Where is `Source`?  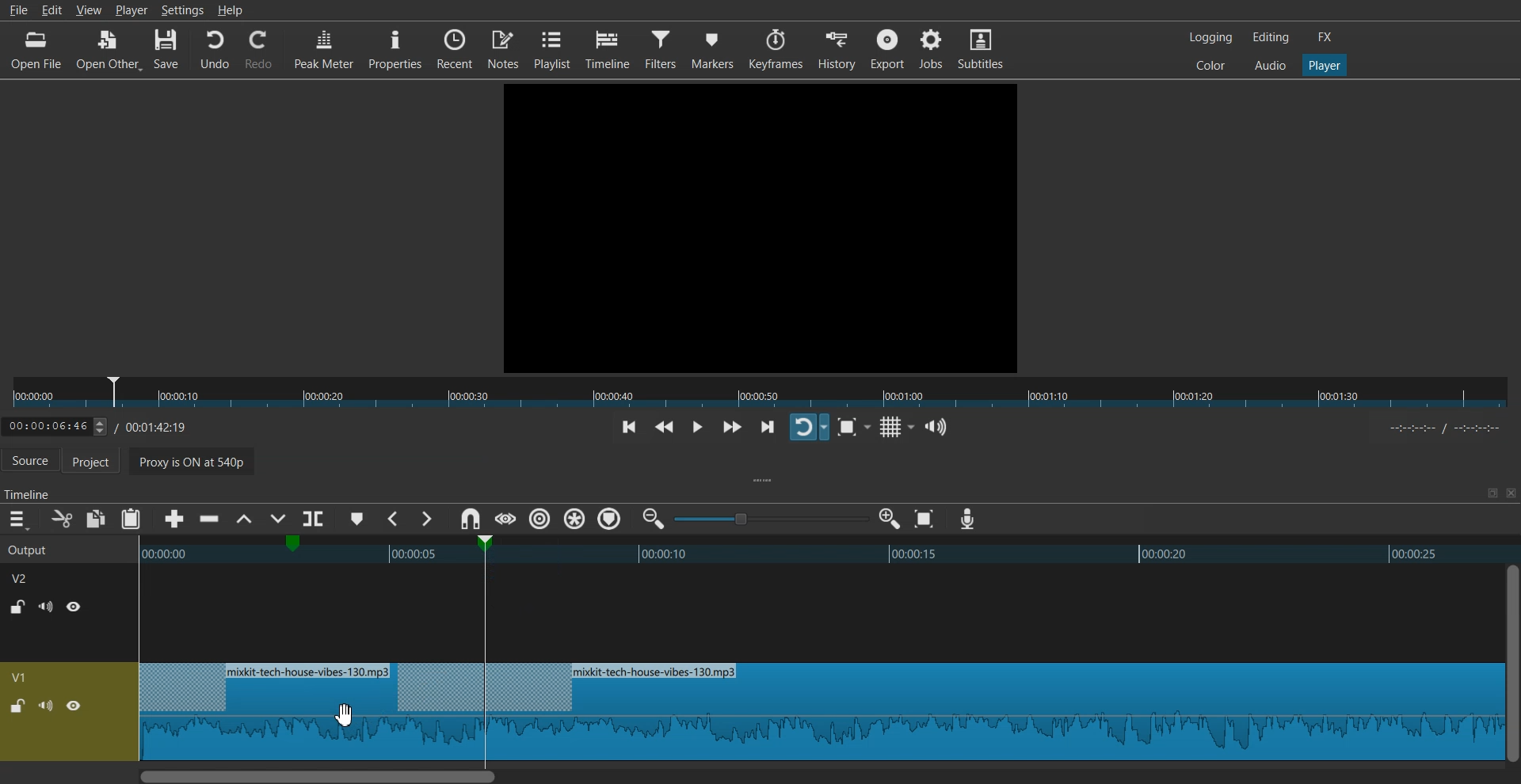 Source is located at coordinates (30, 462).